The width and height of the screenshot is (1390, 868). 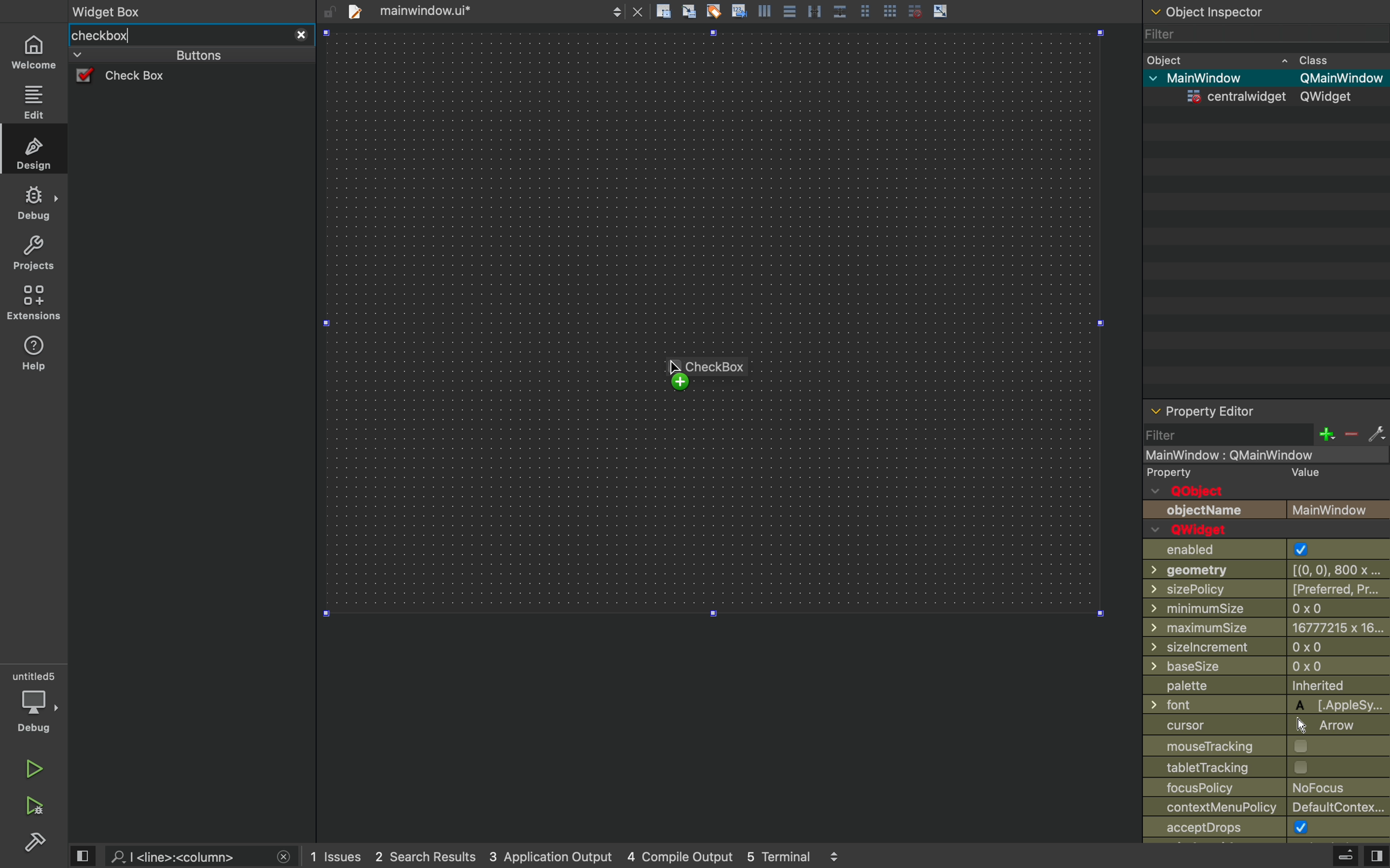 I want to click on settings, so click(x=1377, y=435).